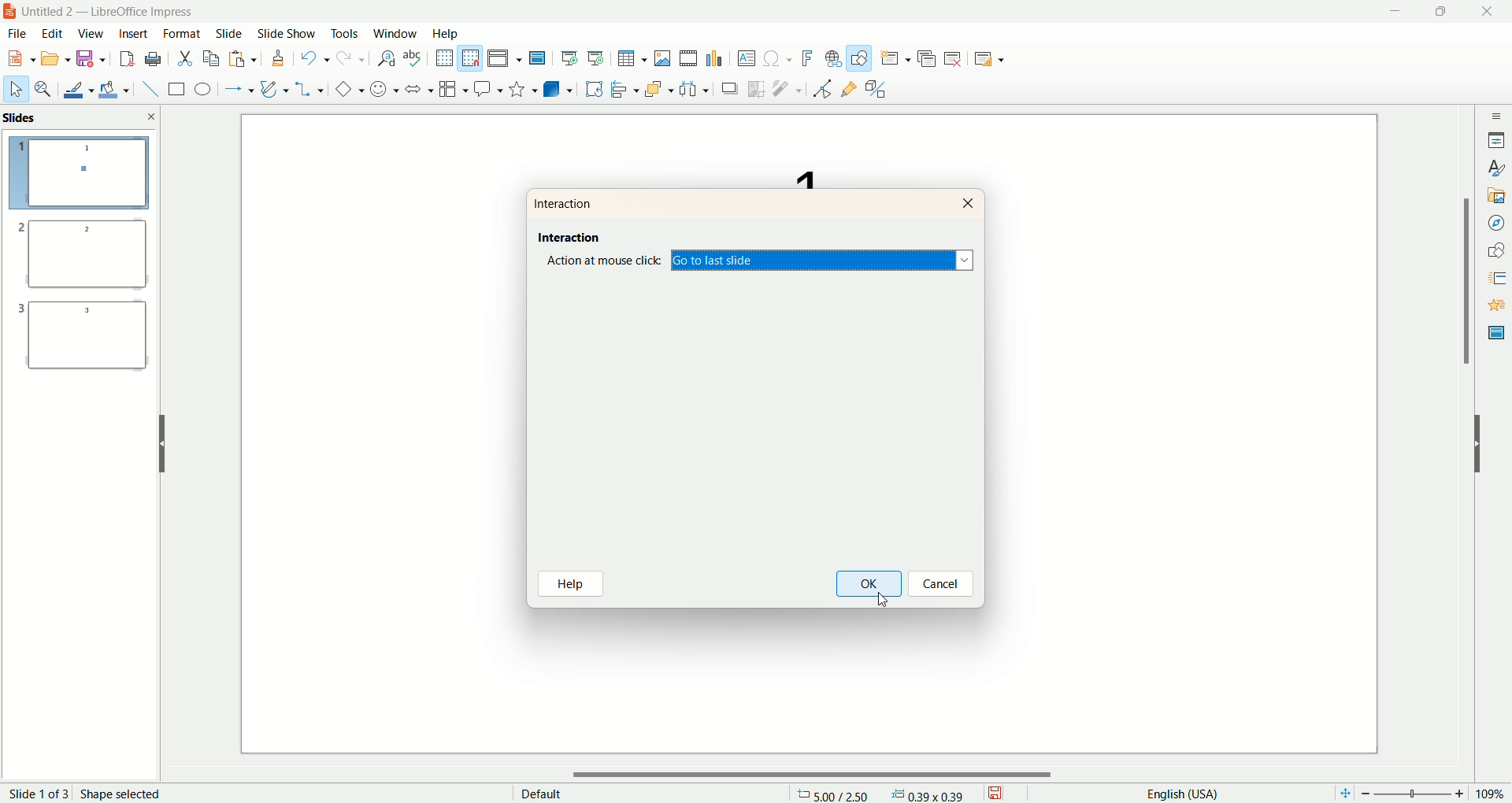  Describe the element at coordinates (413, 58) in the screenshot. I see `spelling` at that location.